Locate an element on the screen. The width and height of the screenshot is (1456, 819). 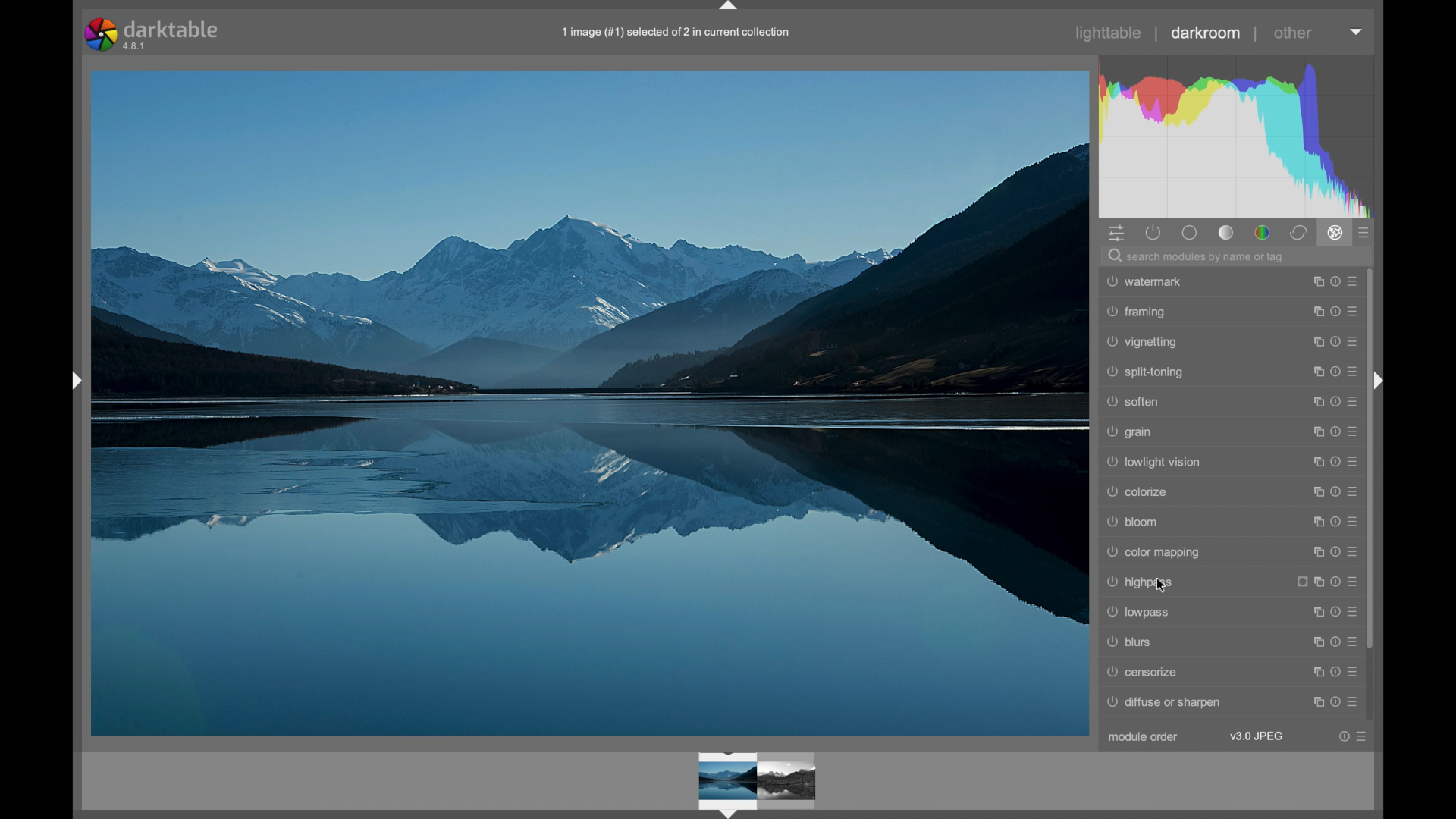
tone is located at coordinates (1227, 233).